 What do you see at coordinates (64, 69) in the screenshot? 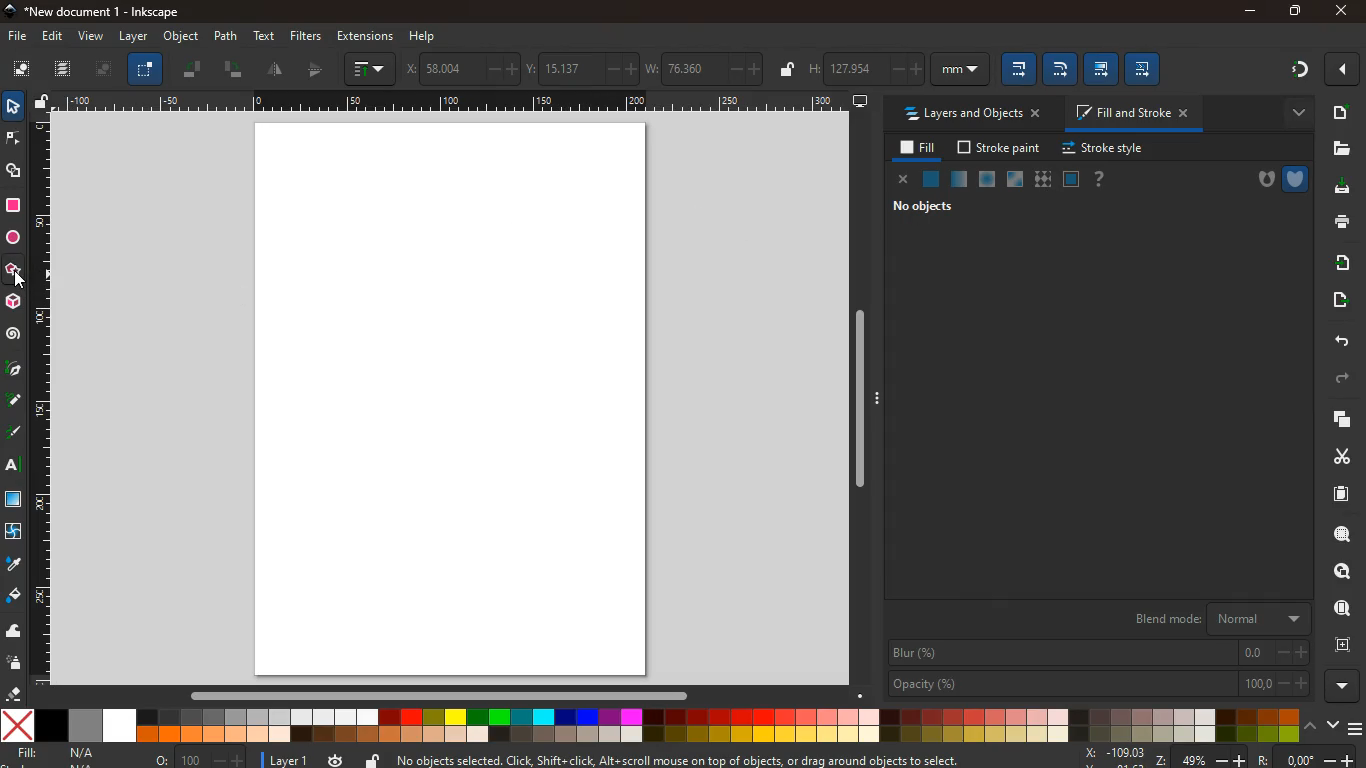
I see `layers` at bounding box center [64, 69].